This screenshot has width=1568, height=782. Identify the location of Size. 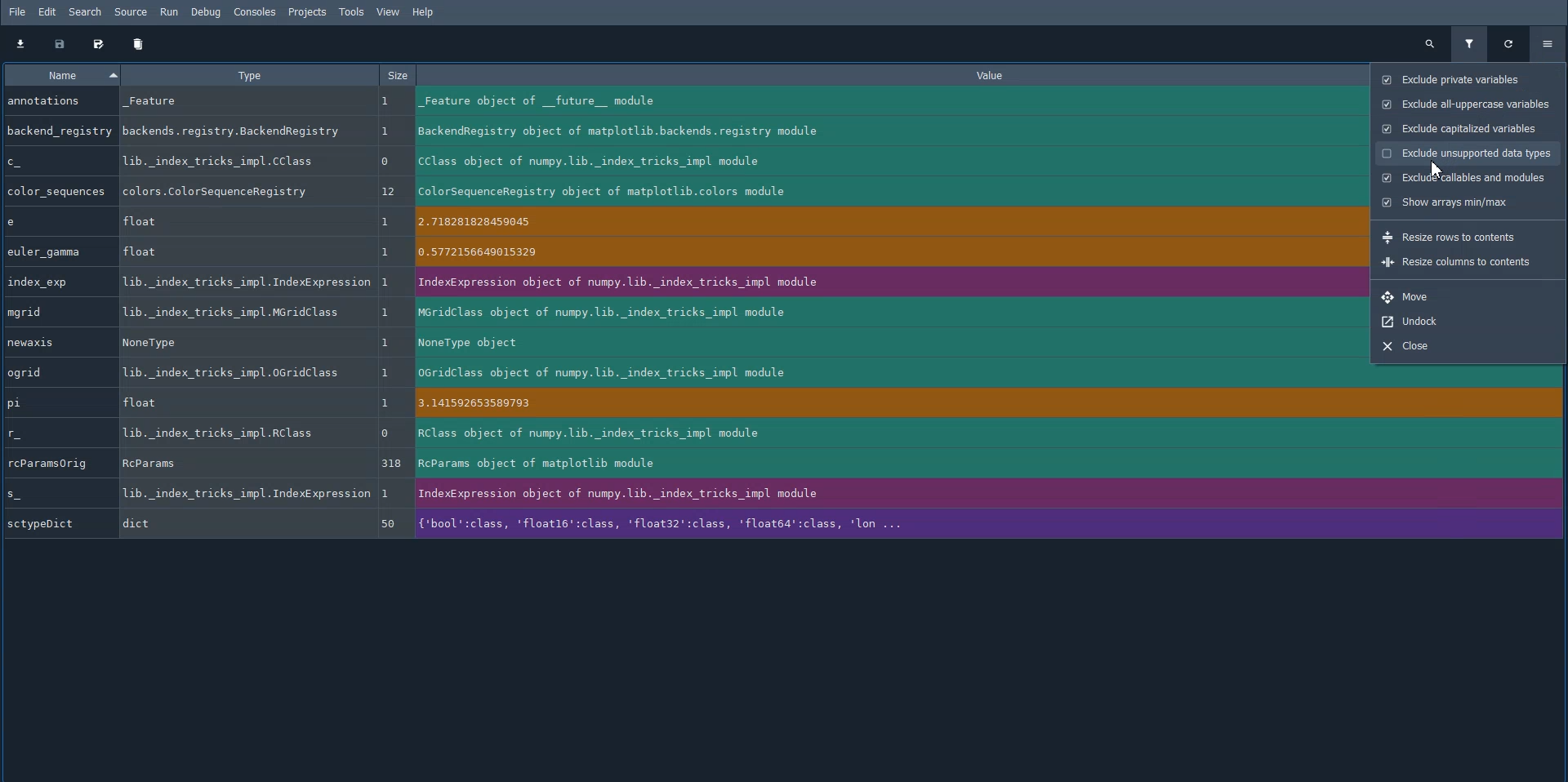
(396, 76).